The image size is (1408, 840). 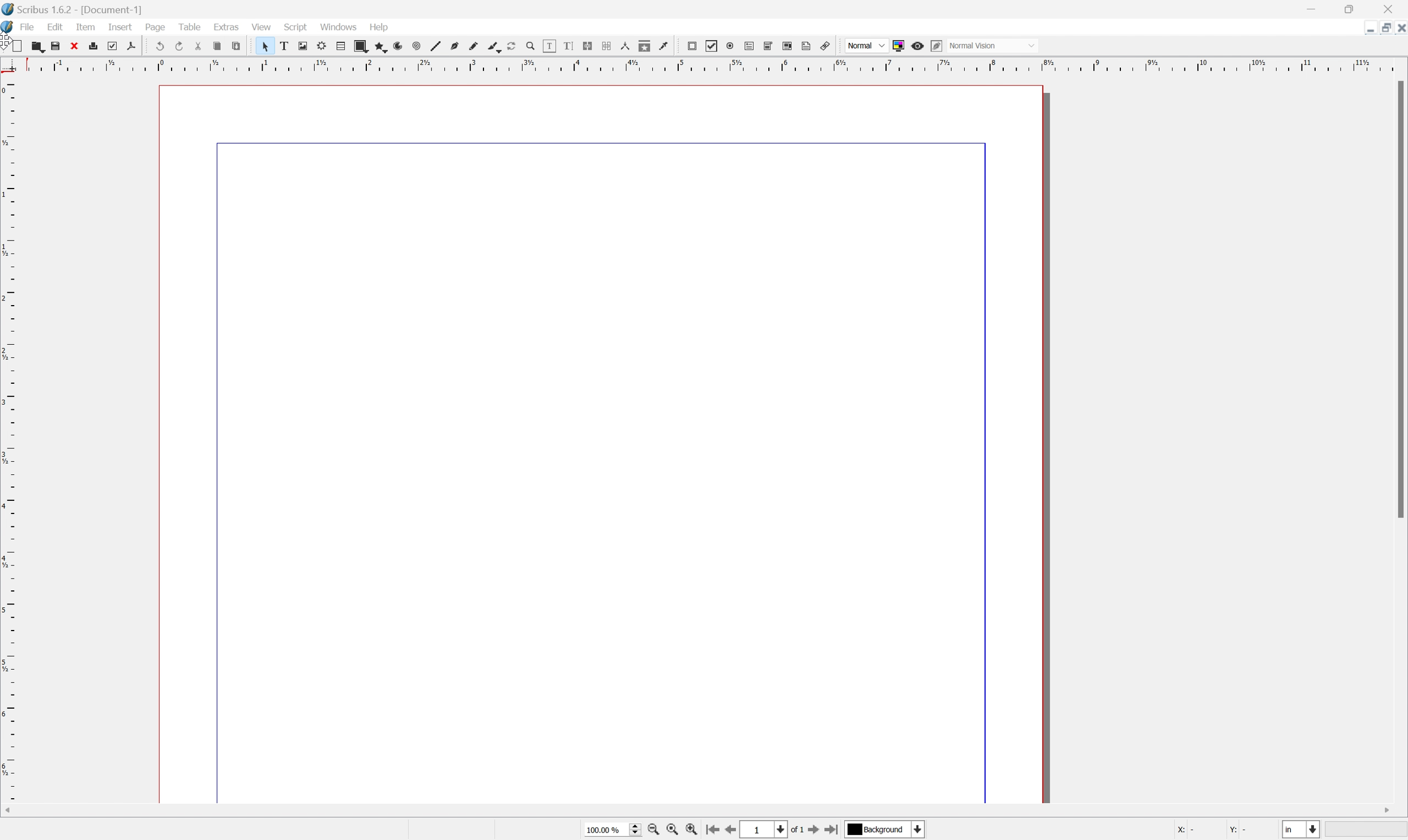 What do you see at coordinates (787, 46) in the screenshot?
I see `pdf list box` at bounding box center [787, 46].